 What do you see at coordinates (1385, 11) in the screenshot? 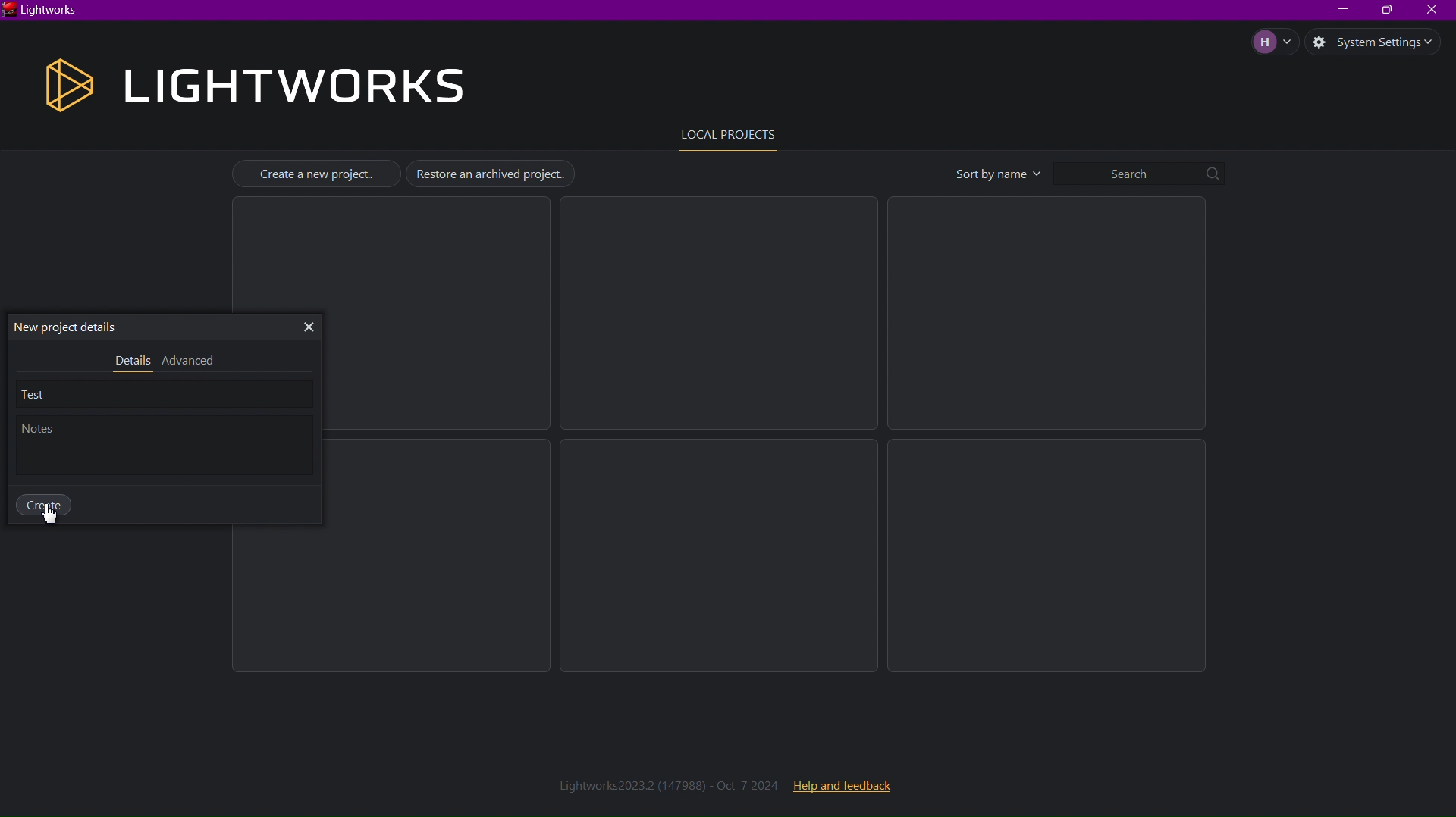
I see `Maximize` at bounding box center [1385, 11].